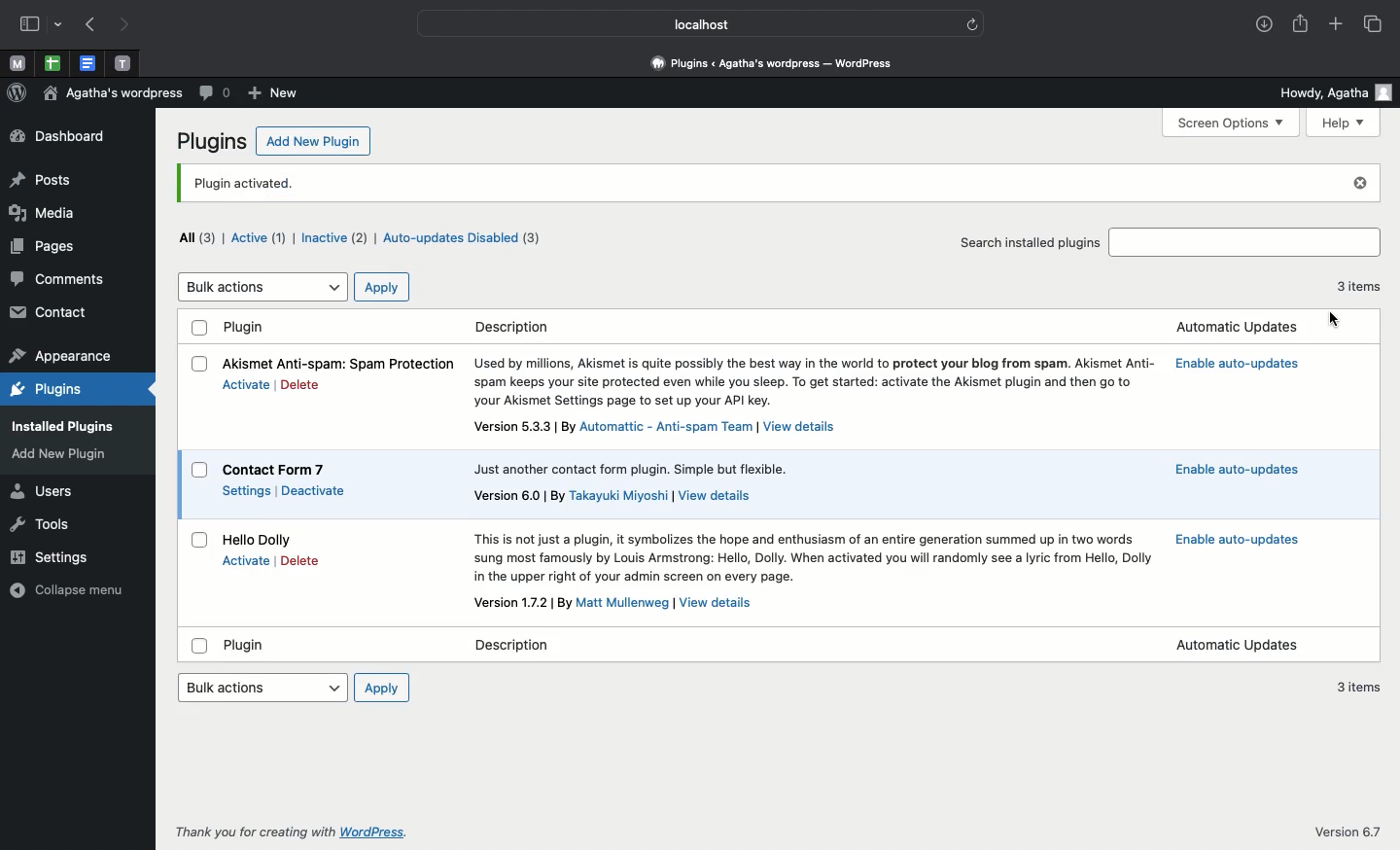 This screenshot has height=850, width=1400. Describe the element at coordinates (262, 287) in the screenshot. I see `Bulk actions` at that location.